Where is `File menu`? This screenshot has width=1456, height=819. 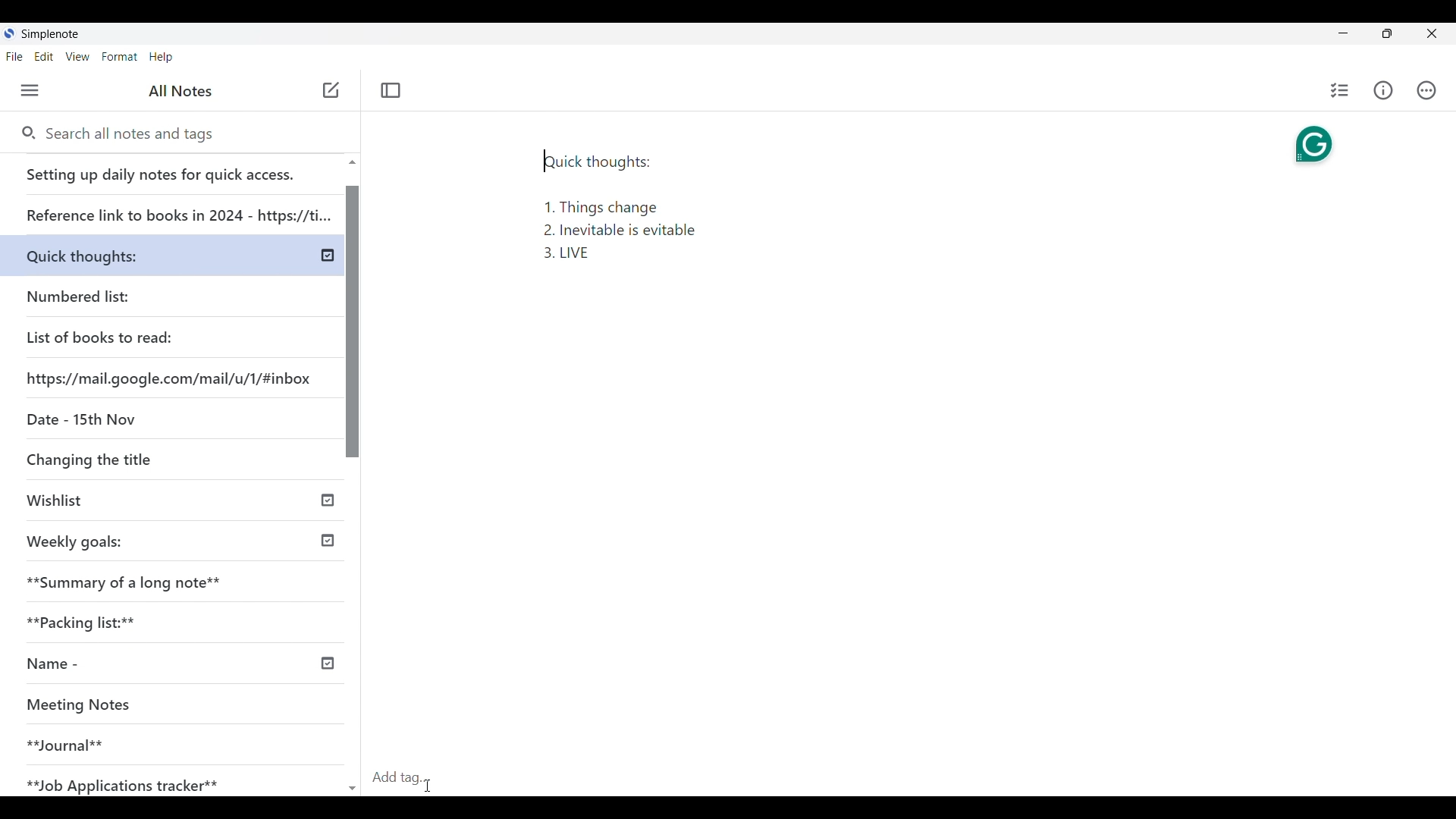 File menu is located at coordinates (14, 57).